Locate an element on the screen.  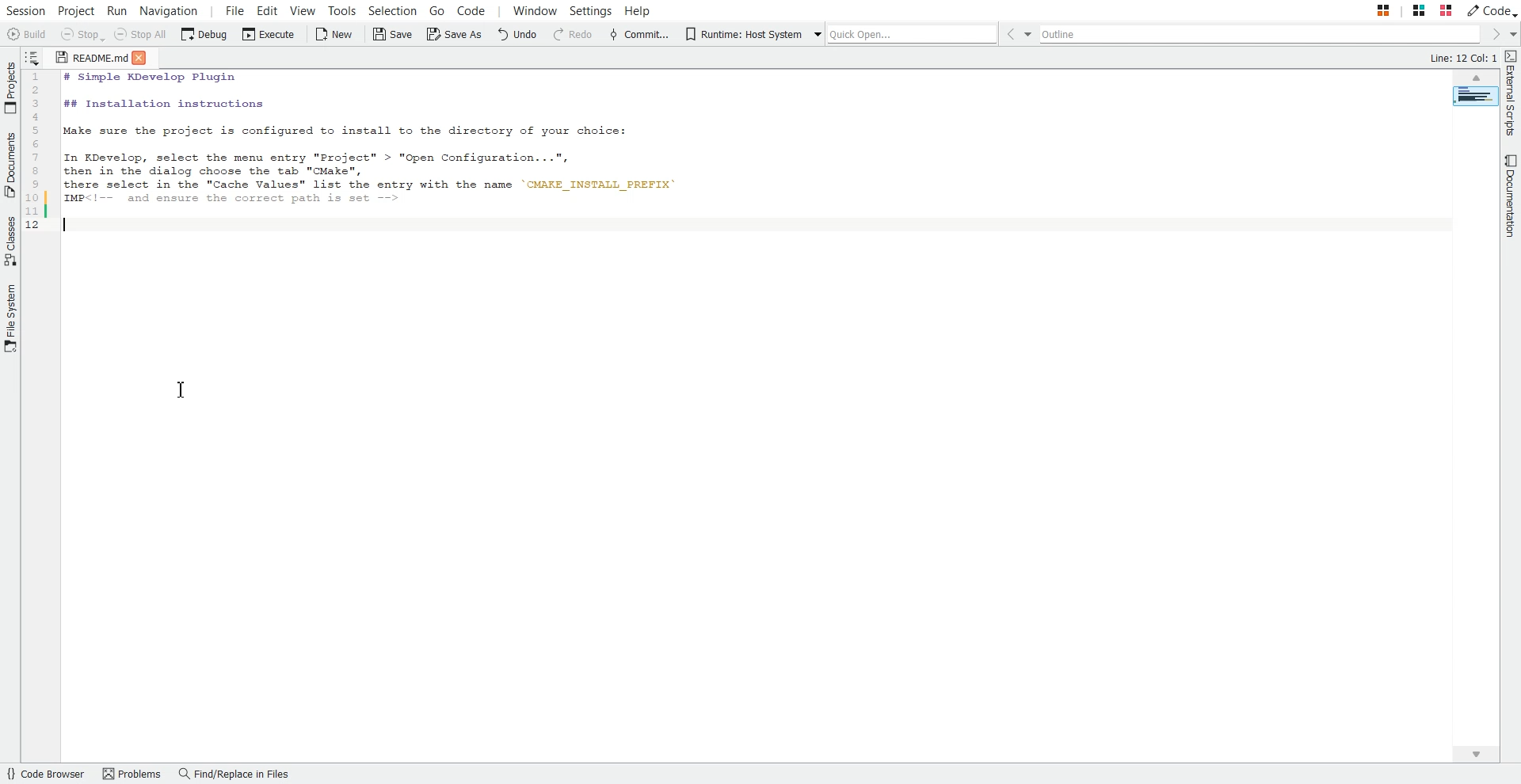
External Scripts is located at coordinates (1511, 93).